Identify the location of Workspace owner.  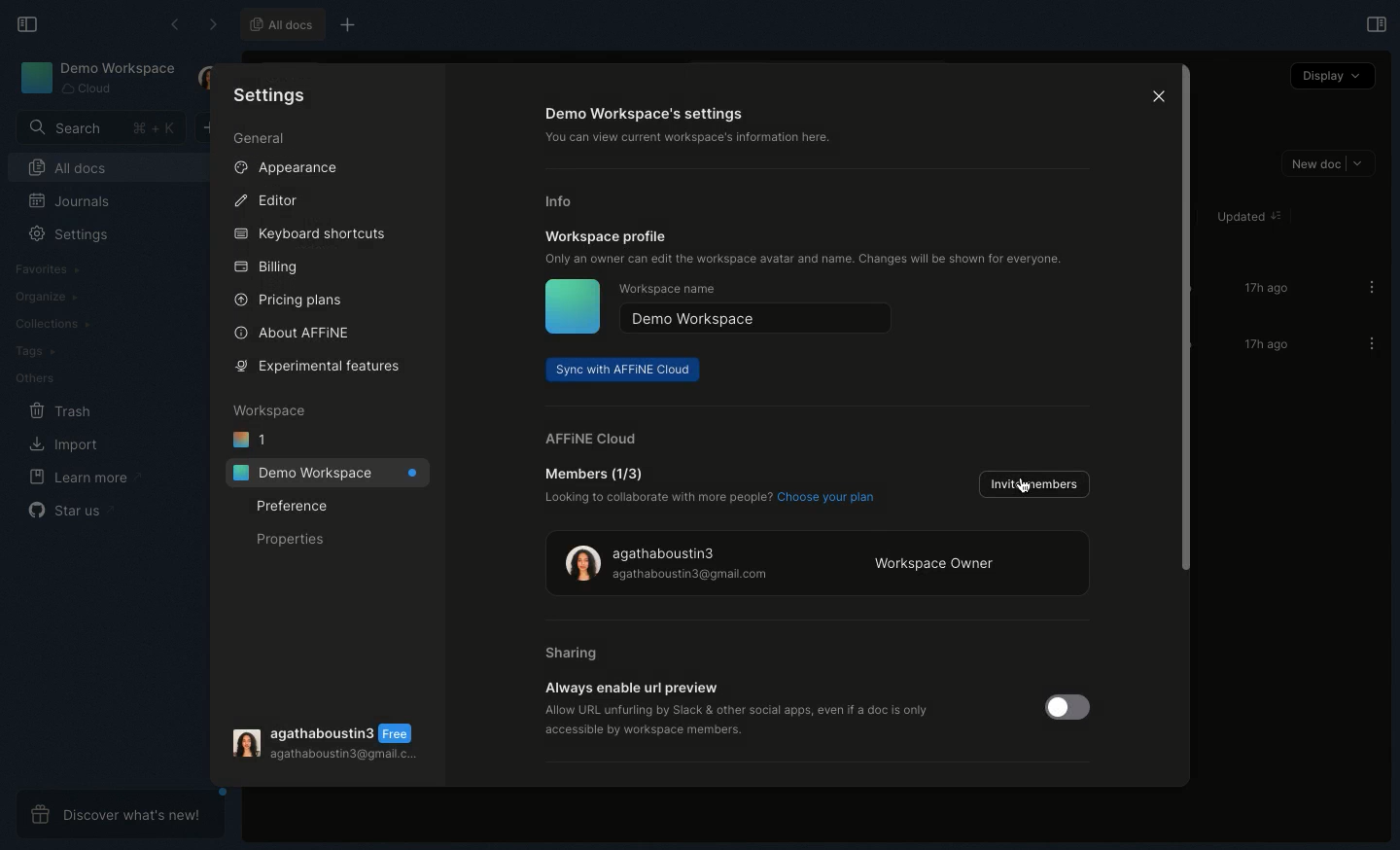
(814, 563).